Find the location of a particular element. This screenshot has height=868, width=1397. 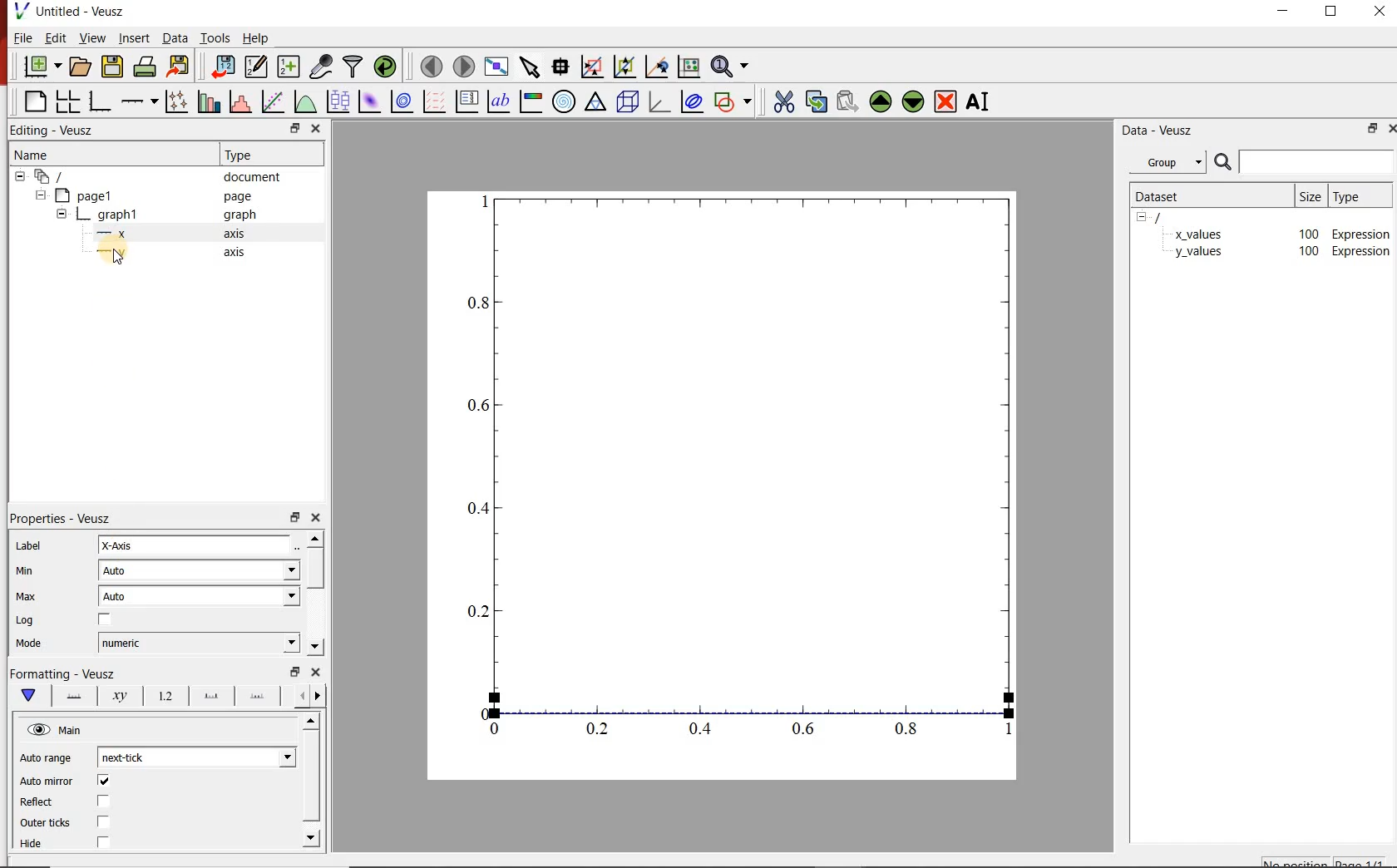

plot a function is located at coordinates (303, 100).